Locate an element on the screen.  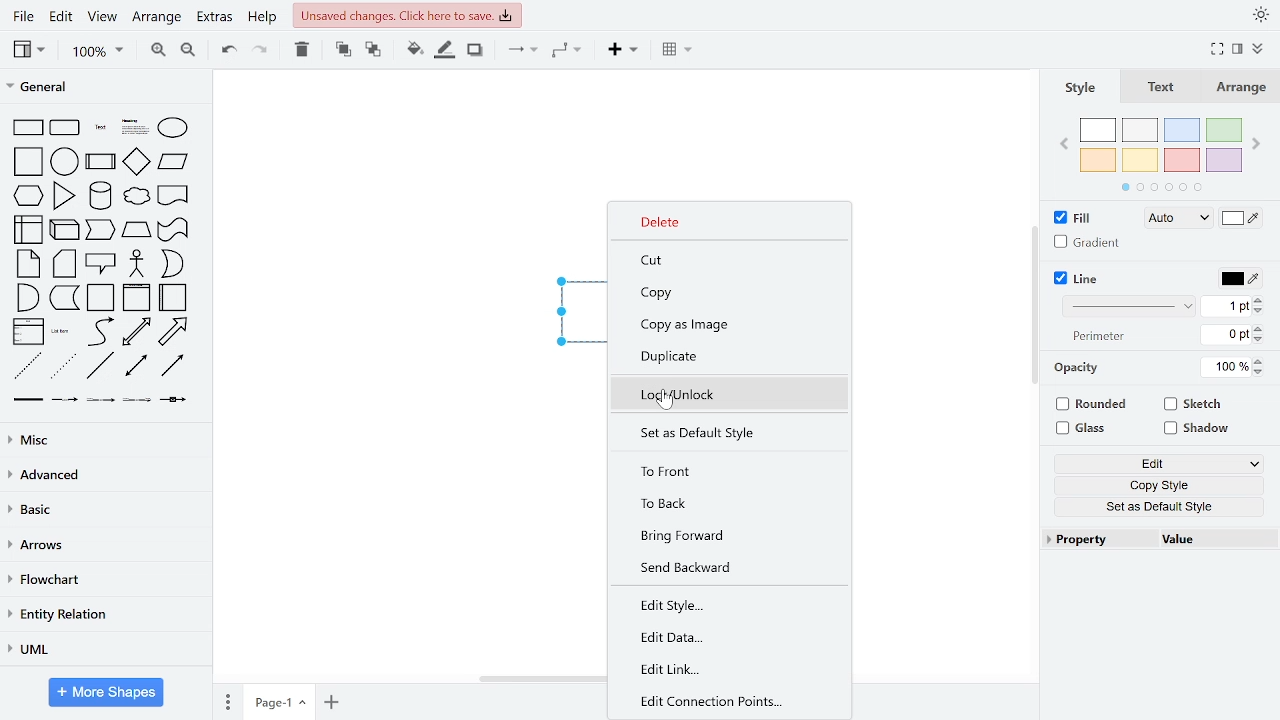
cylinder is located at coordinates (98, 195).